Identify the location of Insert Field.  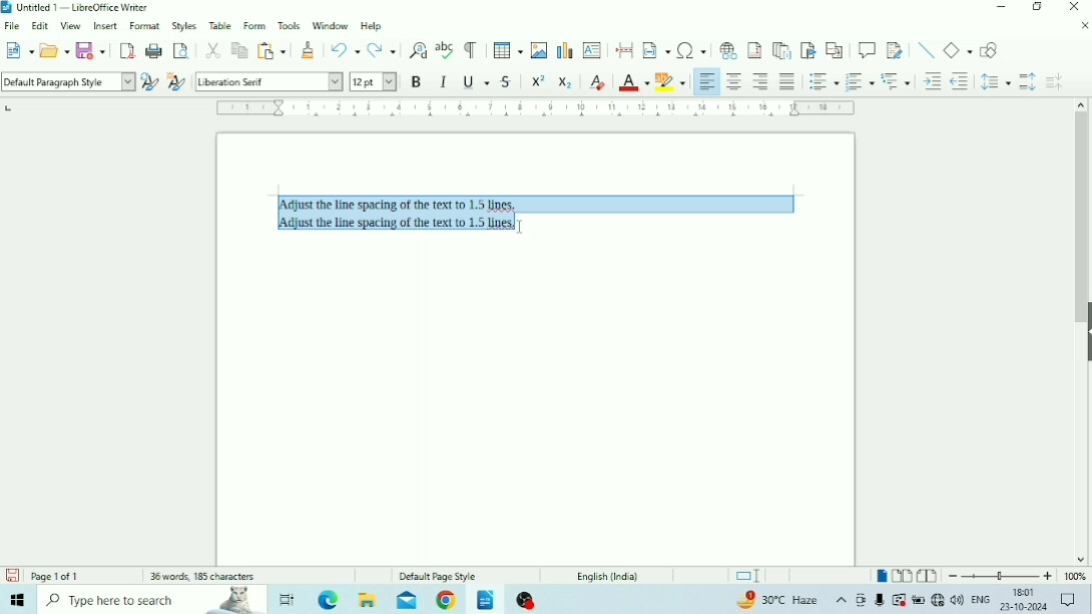
(656, 49).